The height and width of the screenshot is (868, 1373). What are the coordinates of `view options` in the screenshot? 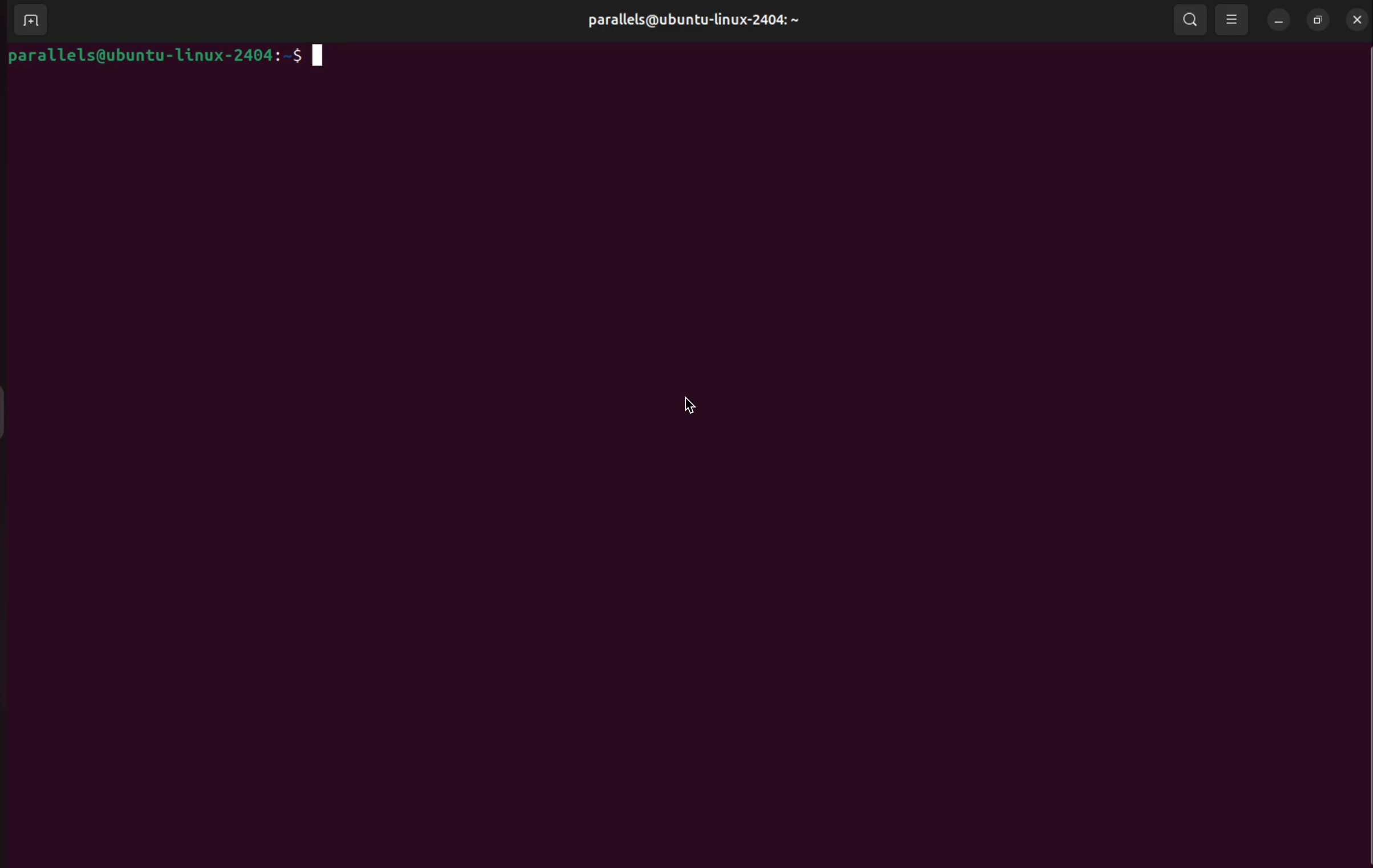 It's located at (1234, 21).